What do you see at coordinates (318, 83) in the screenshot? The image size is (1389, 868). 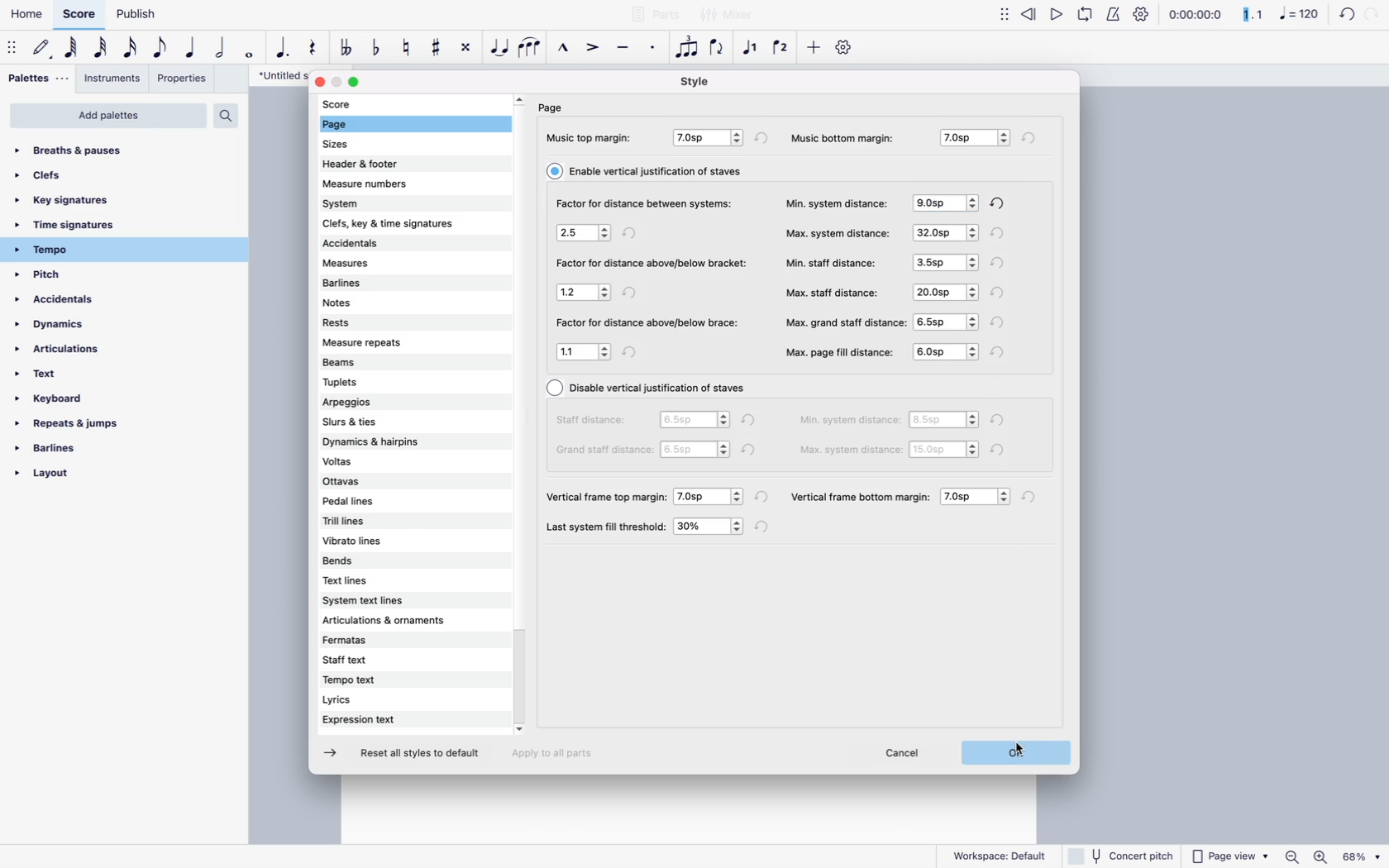 I see `close` at bounding box center [318, 83].